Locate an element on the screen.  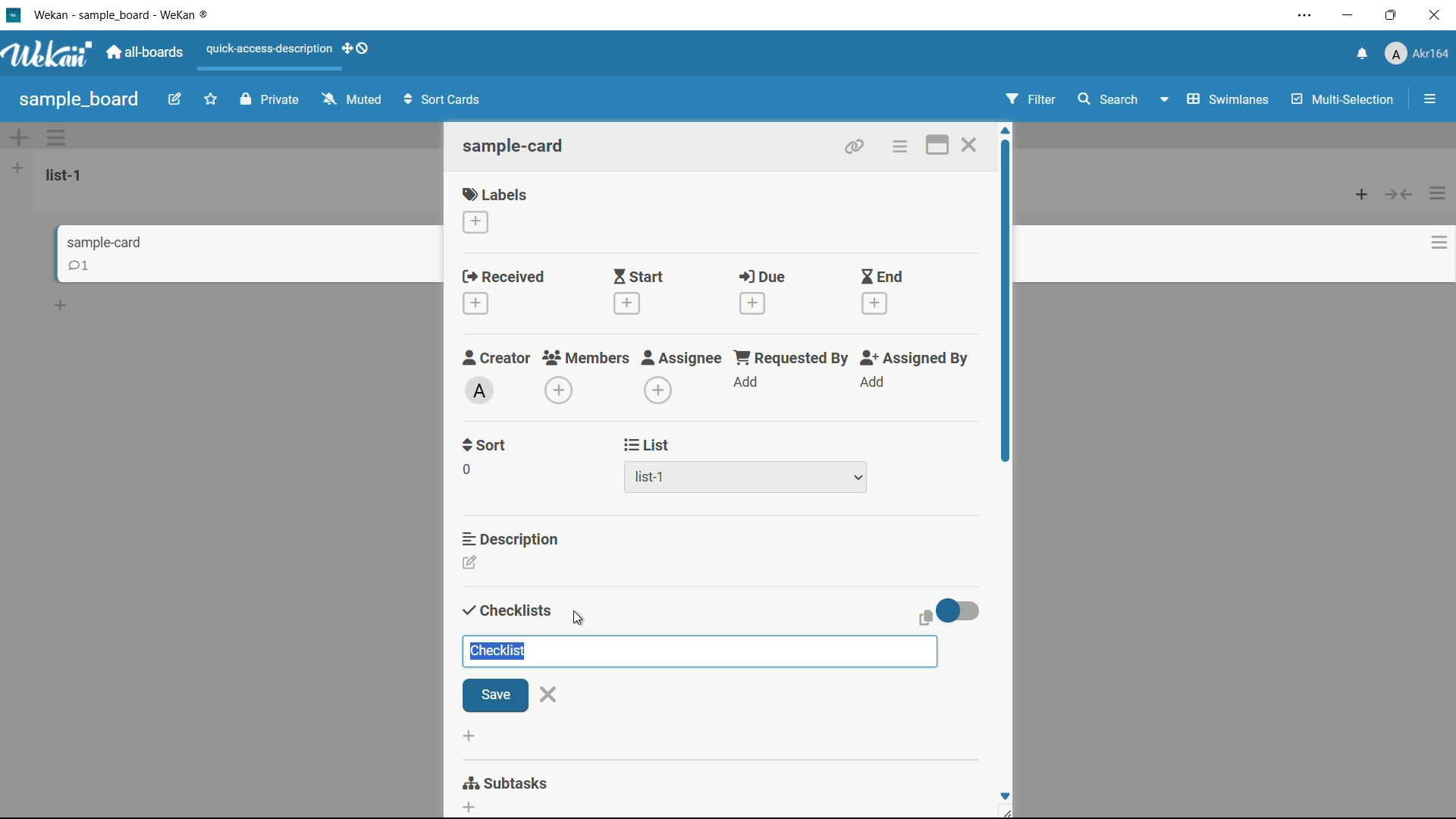
add is located at coordinates (874, 381).